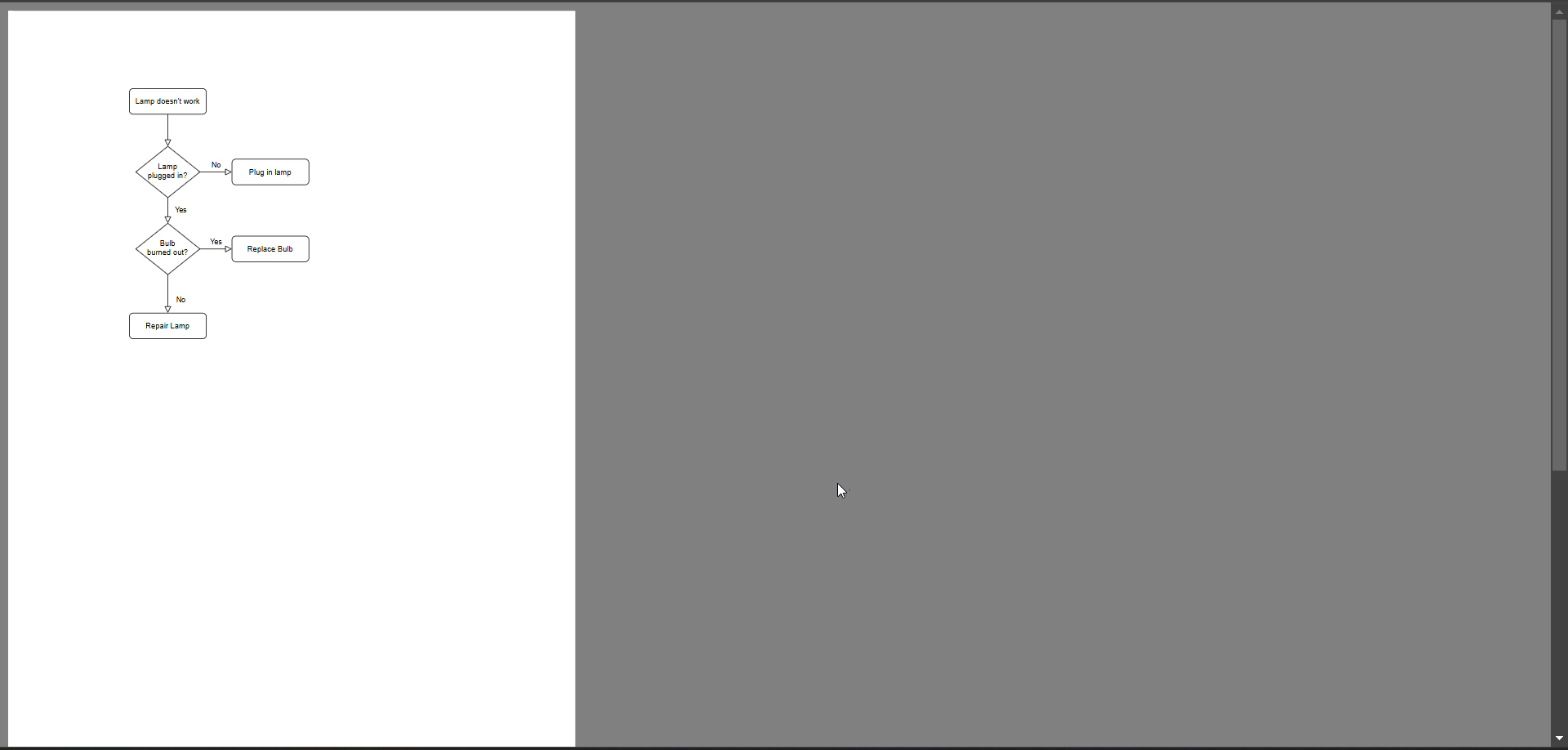  What do you see at coordinates (1558, 248) in the screenshot?
I see `scroll bar` at bounding box center [1558, 248].